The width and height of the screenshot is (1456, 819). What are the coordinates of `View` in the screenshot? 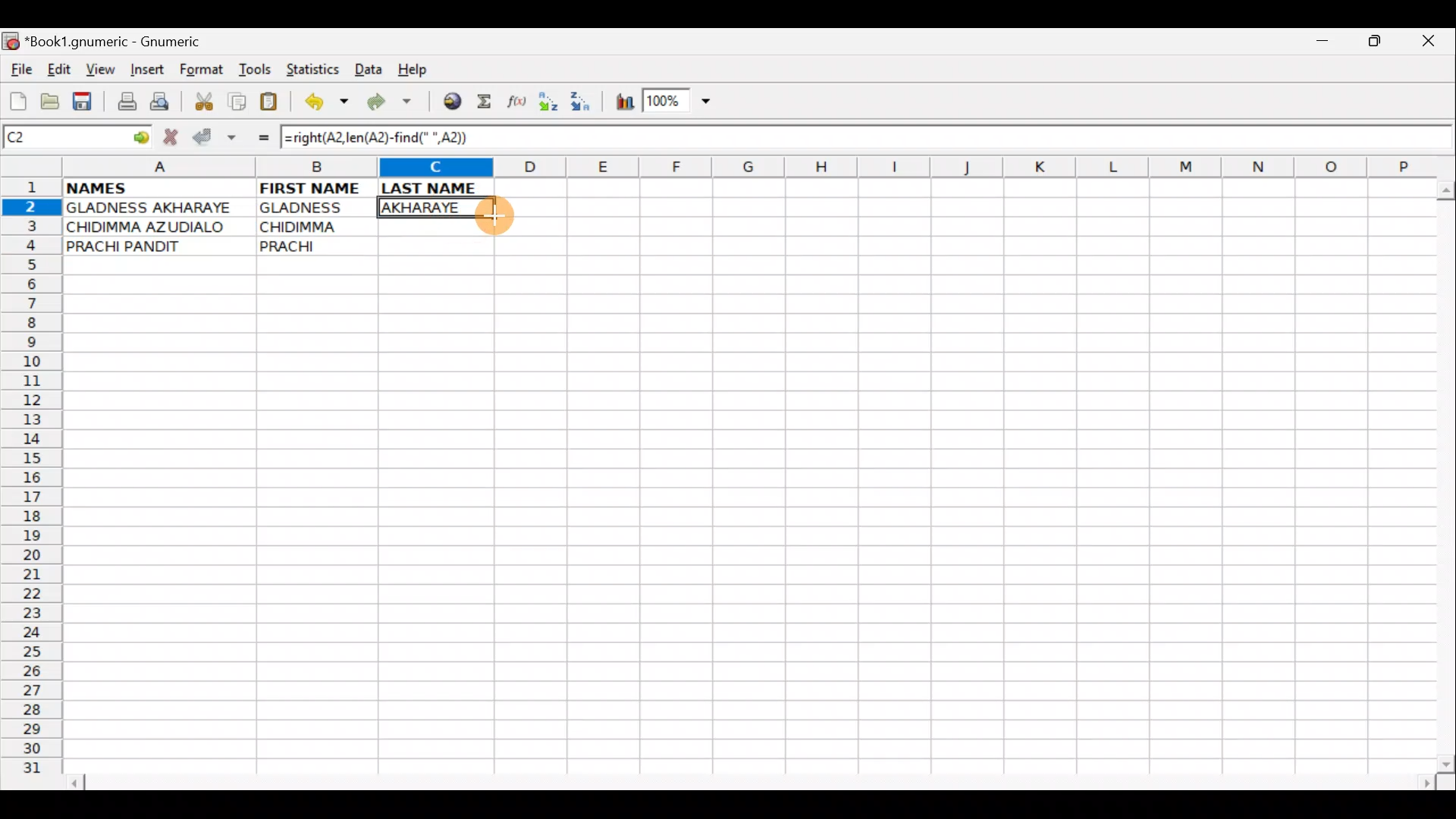 It's located at (96, 69).